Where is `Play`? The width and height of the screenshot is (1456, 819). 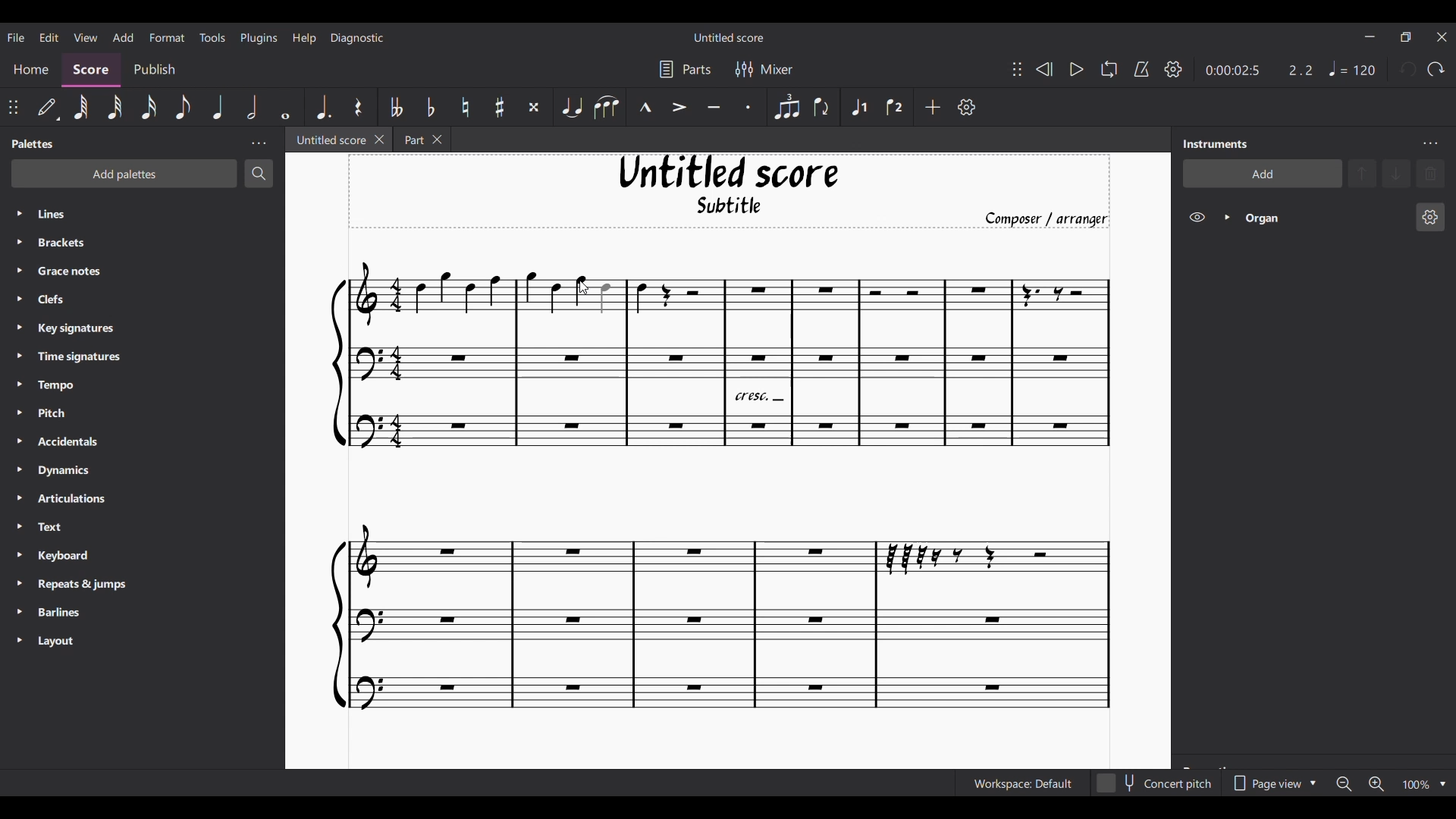
Play is located at coordinates (1077, 70).